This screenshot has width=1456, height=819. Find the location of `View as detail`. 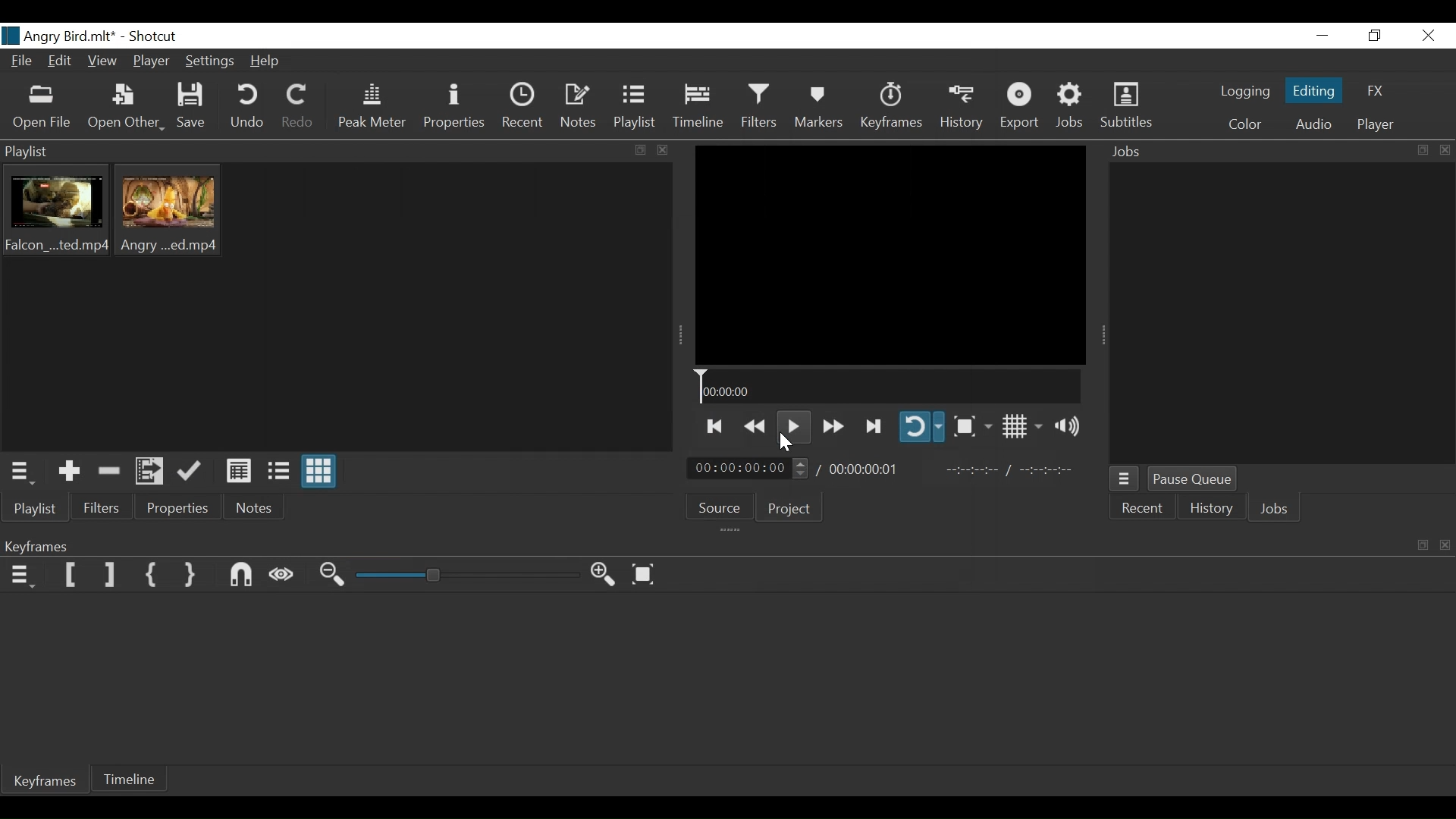

View as detail is located at coordinates (240, 472).